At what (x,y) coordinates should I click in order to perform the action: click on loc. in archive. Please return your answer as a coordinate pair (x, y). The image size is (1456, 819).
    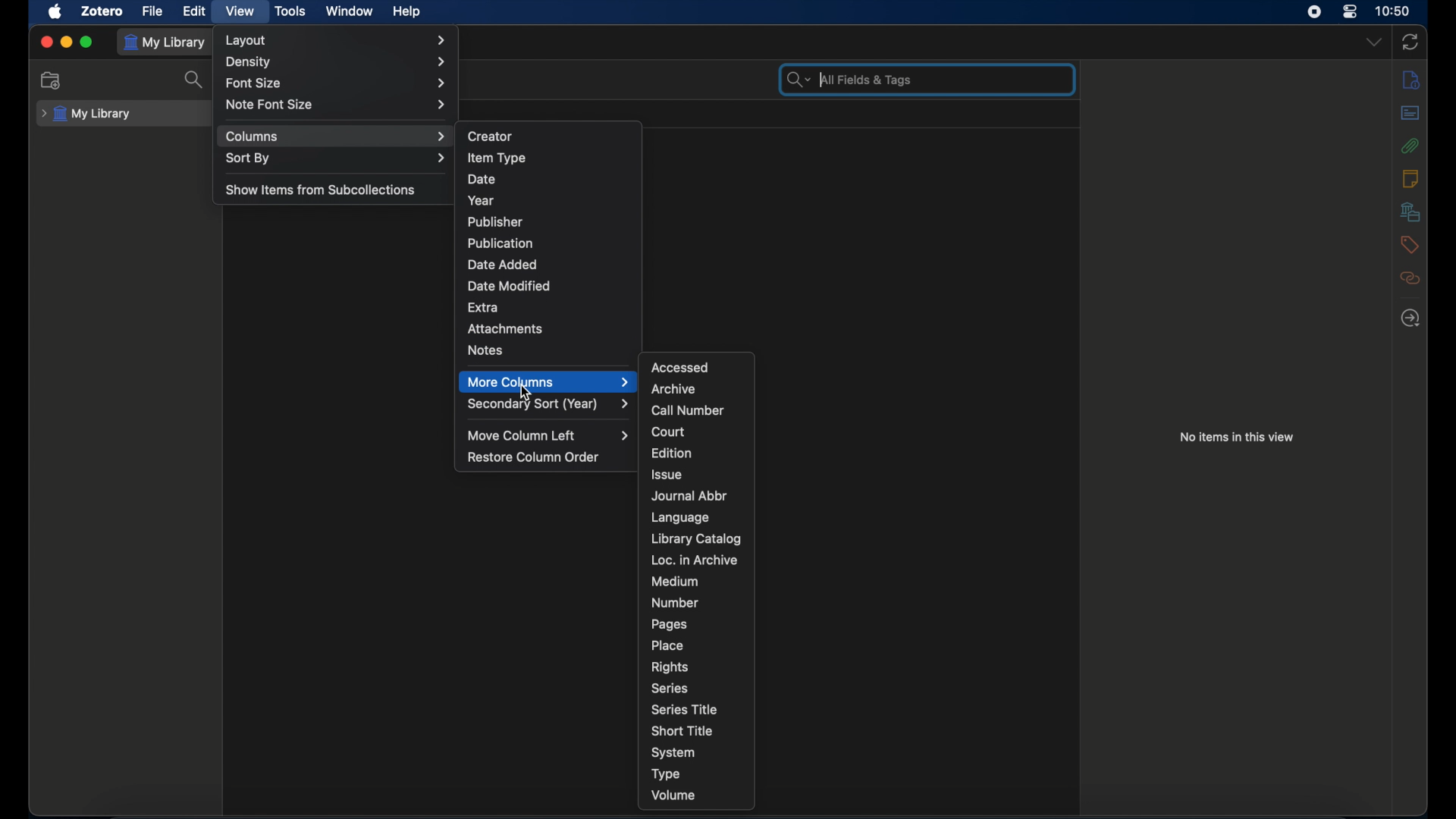
    Looking at the image, I should click on (696, 560).